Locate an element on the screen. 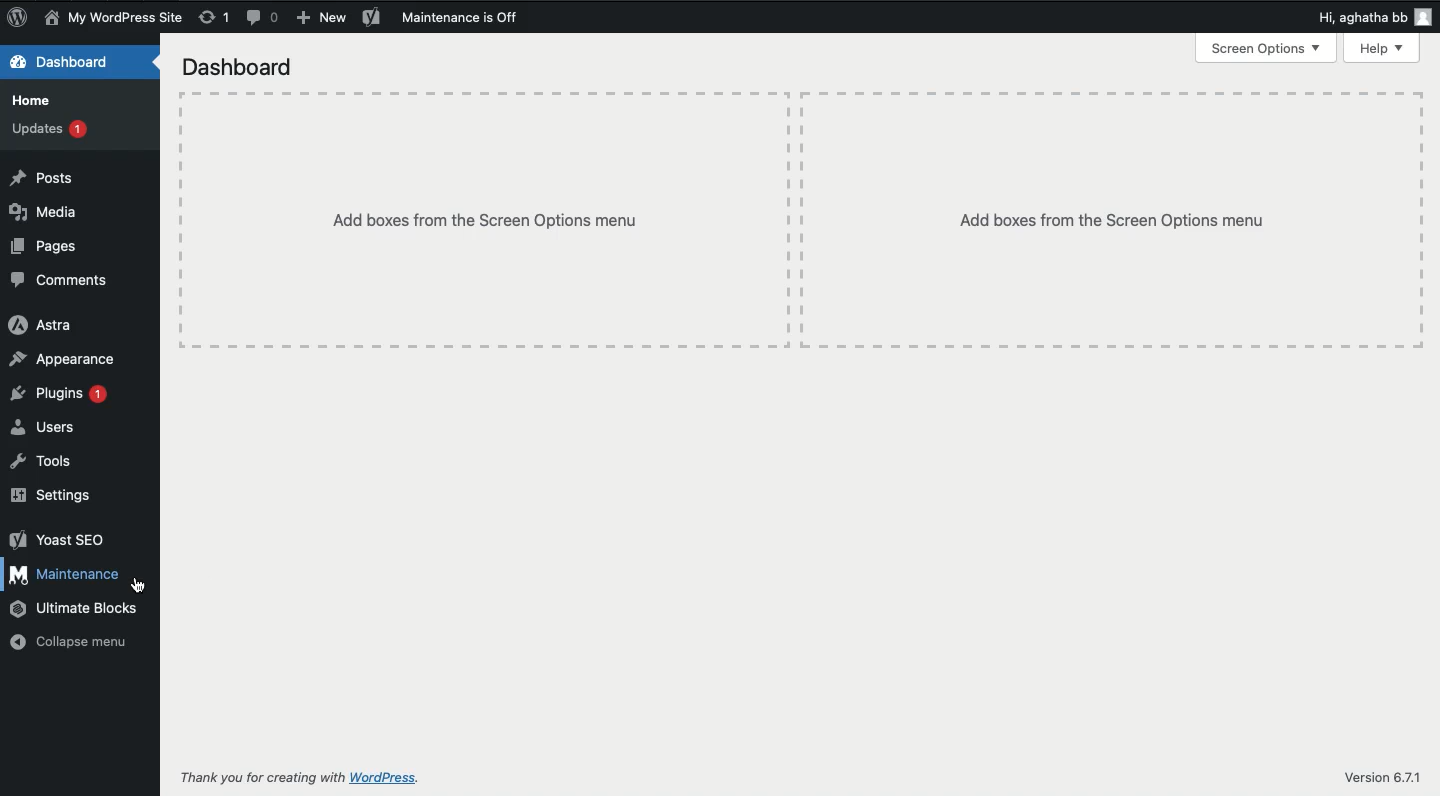 The image size is (1440, 796). Collapse menu is located at coordinates (67, 641).